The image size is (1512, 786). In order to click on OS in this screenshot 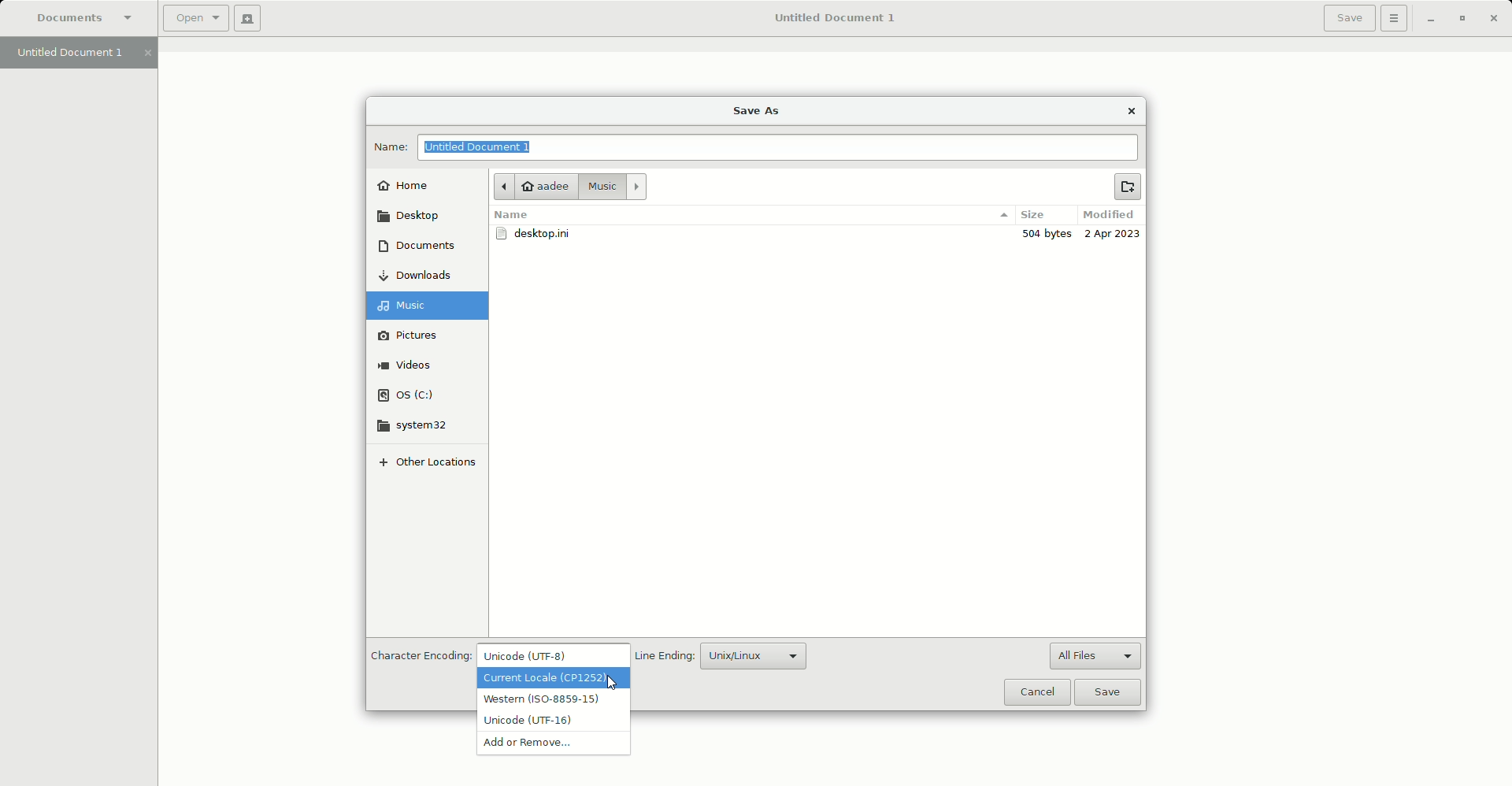, I will do `click(421, 395)`.